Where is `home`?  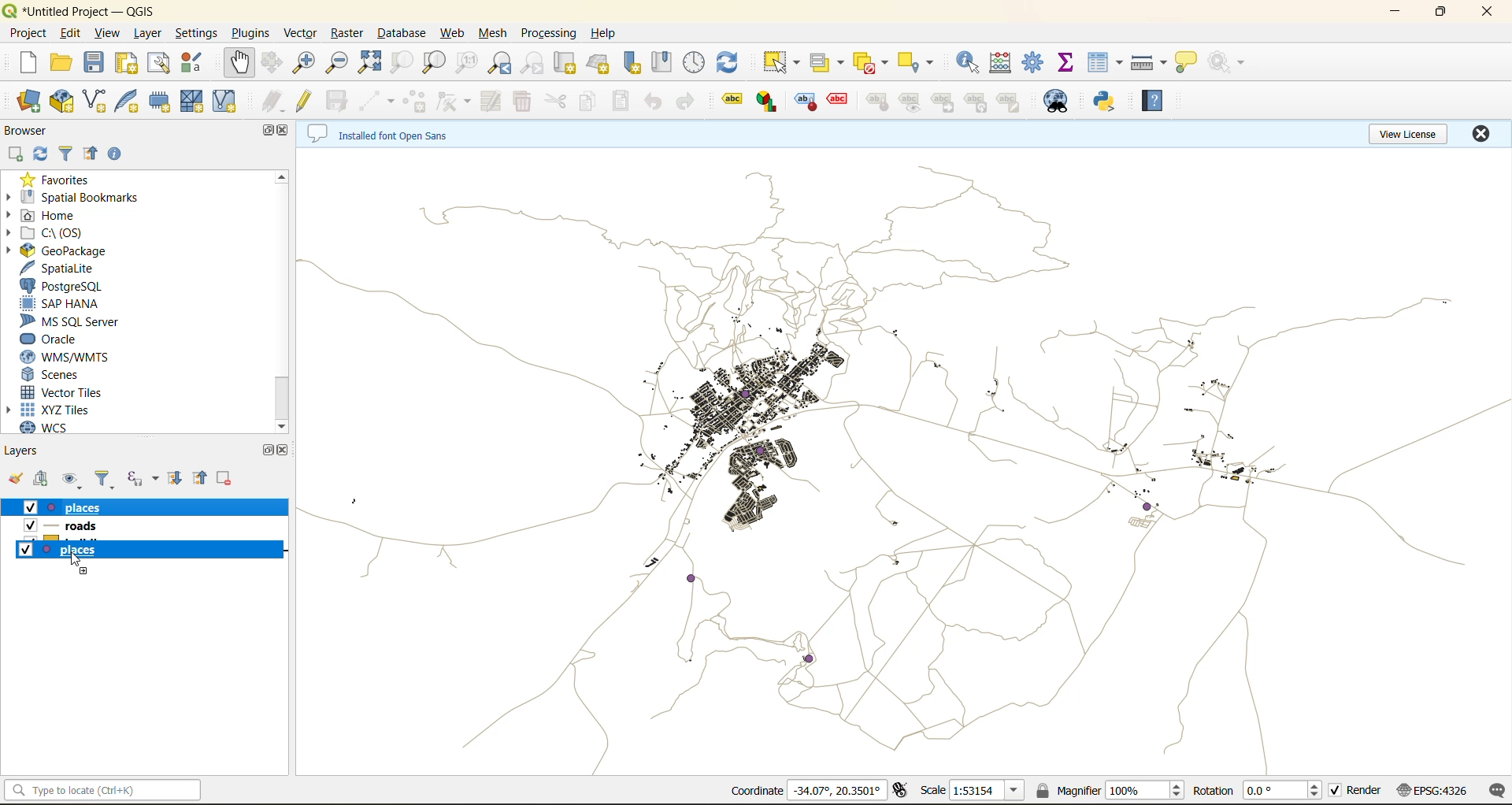
home is located at coordinates (61, 215).